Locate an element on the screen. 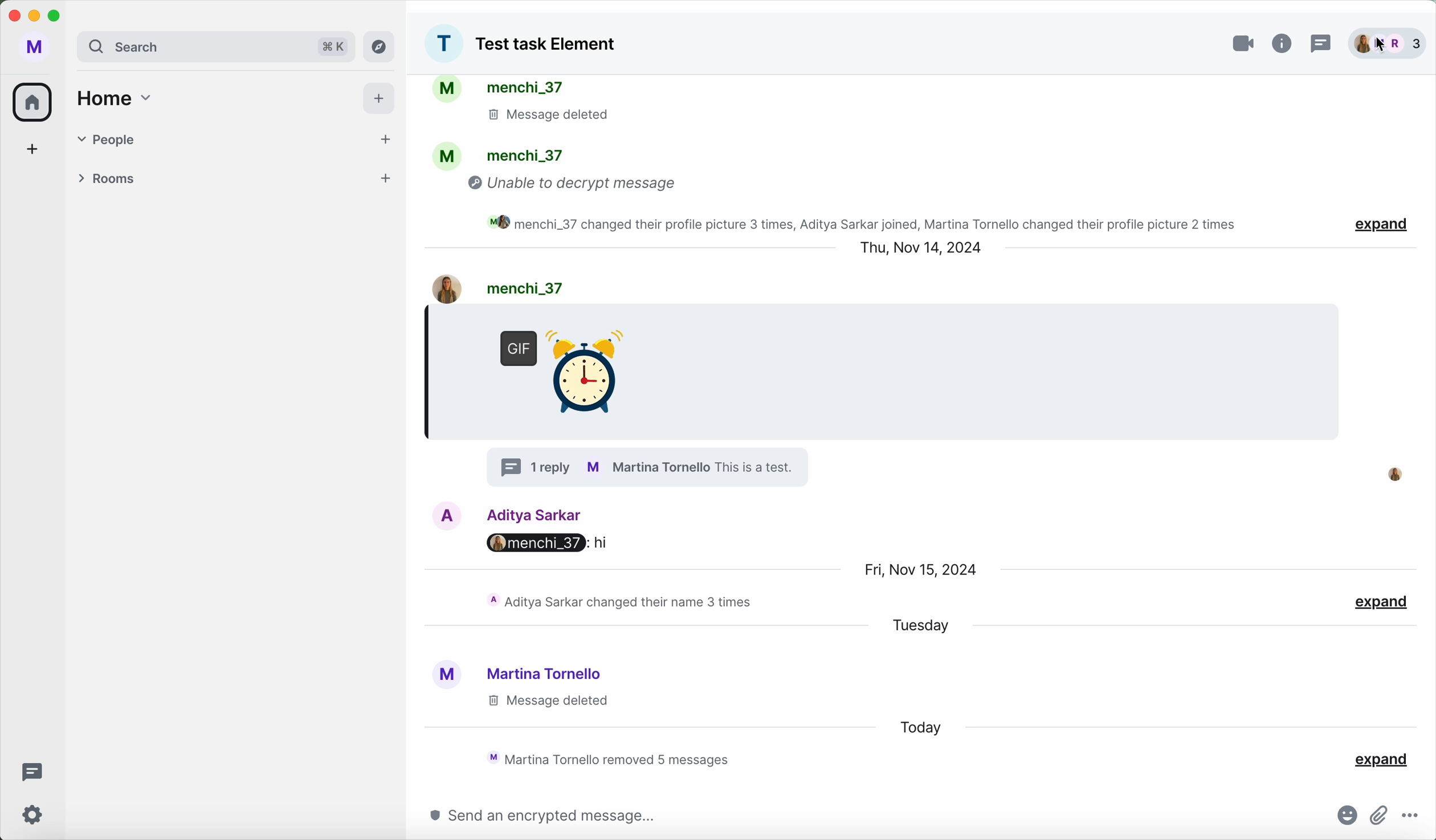 The image size is (1436, 840). image profile is located at coordinates (448, 515).